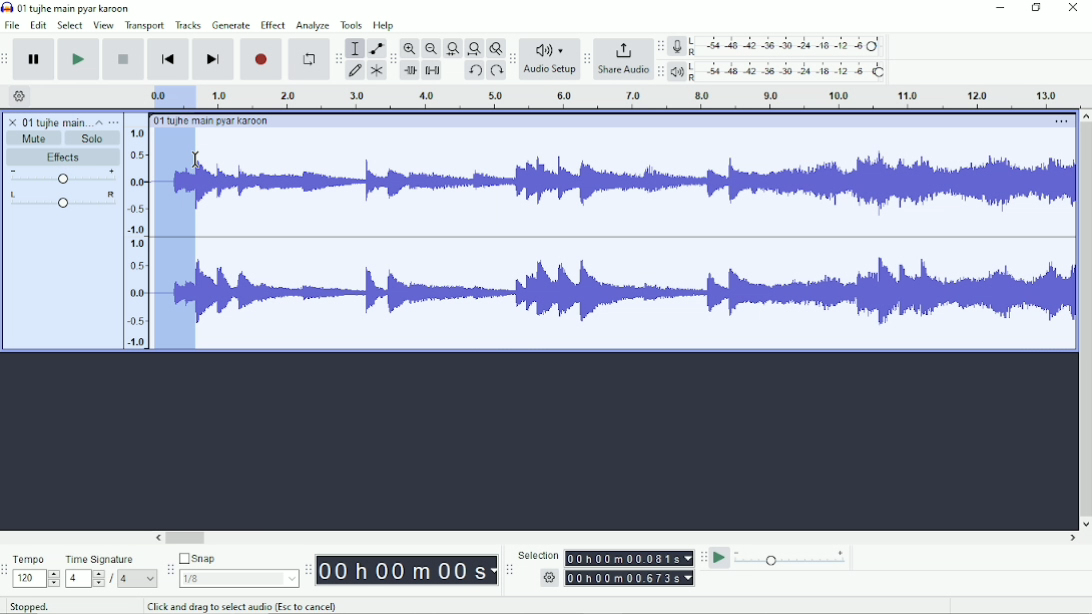  Describe the element at coordinates (93, 138) in the screenshot. I see `Solo` at that location.